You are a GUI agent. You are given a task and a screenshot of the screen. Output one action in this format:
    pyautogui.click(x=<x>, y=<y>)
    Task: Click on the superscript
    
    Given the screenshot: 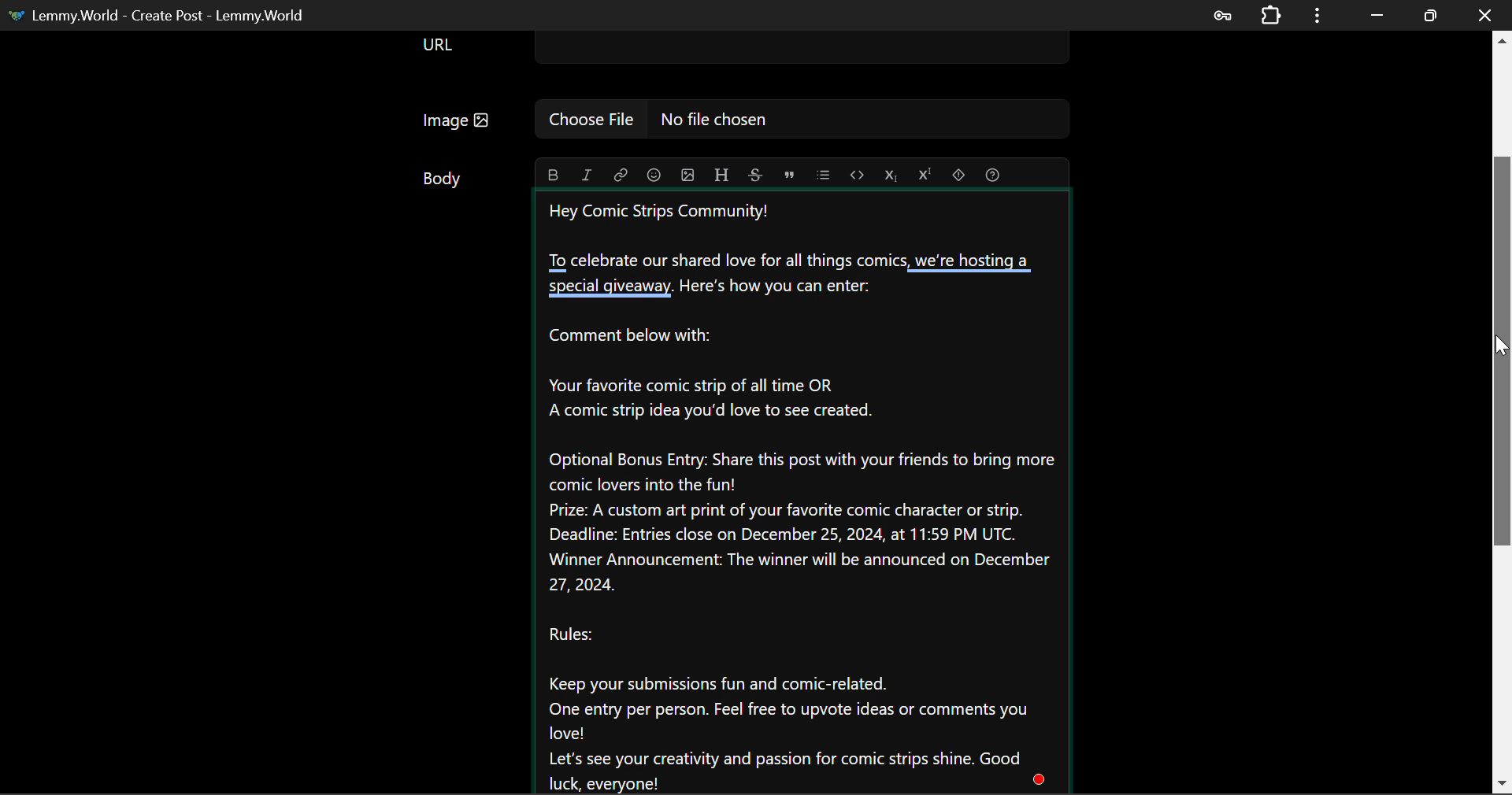 What is the action you would take?
    pyautogui.click(x=925, y=172)
    